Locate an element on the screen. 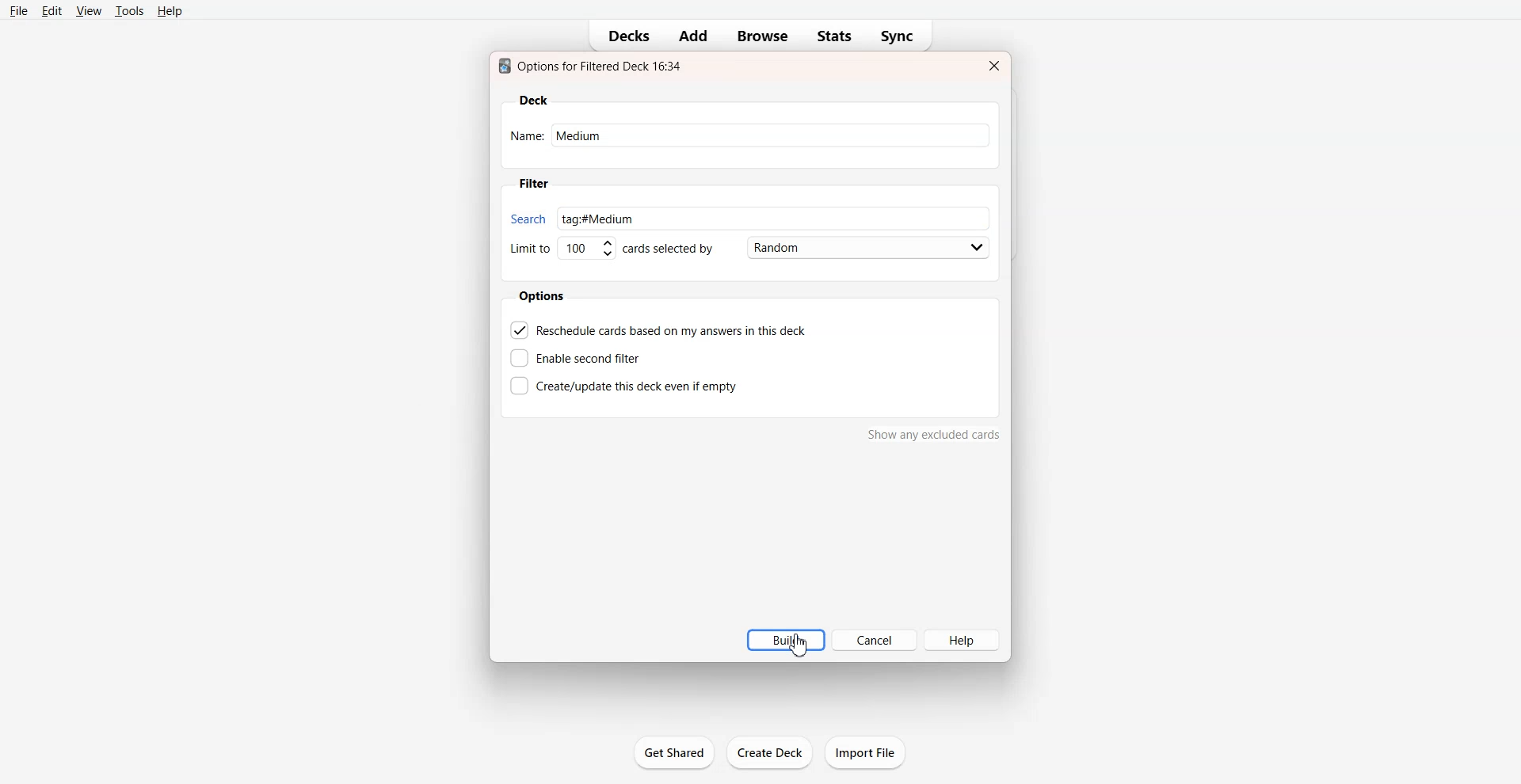 The width and height of the screenshot is (1521, 784). get shared is located at coordinates (677, 755).